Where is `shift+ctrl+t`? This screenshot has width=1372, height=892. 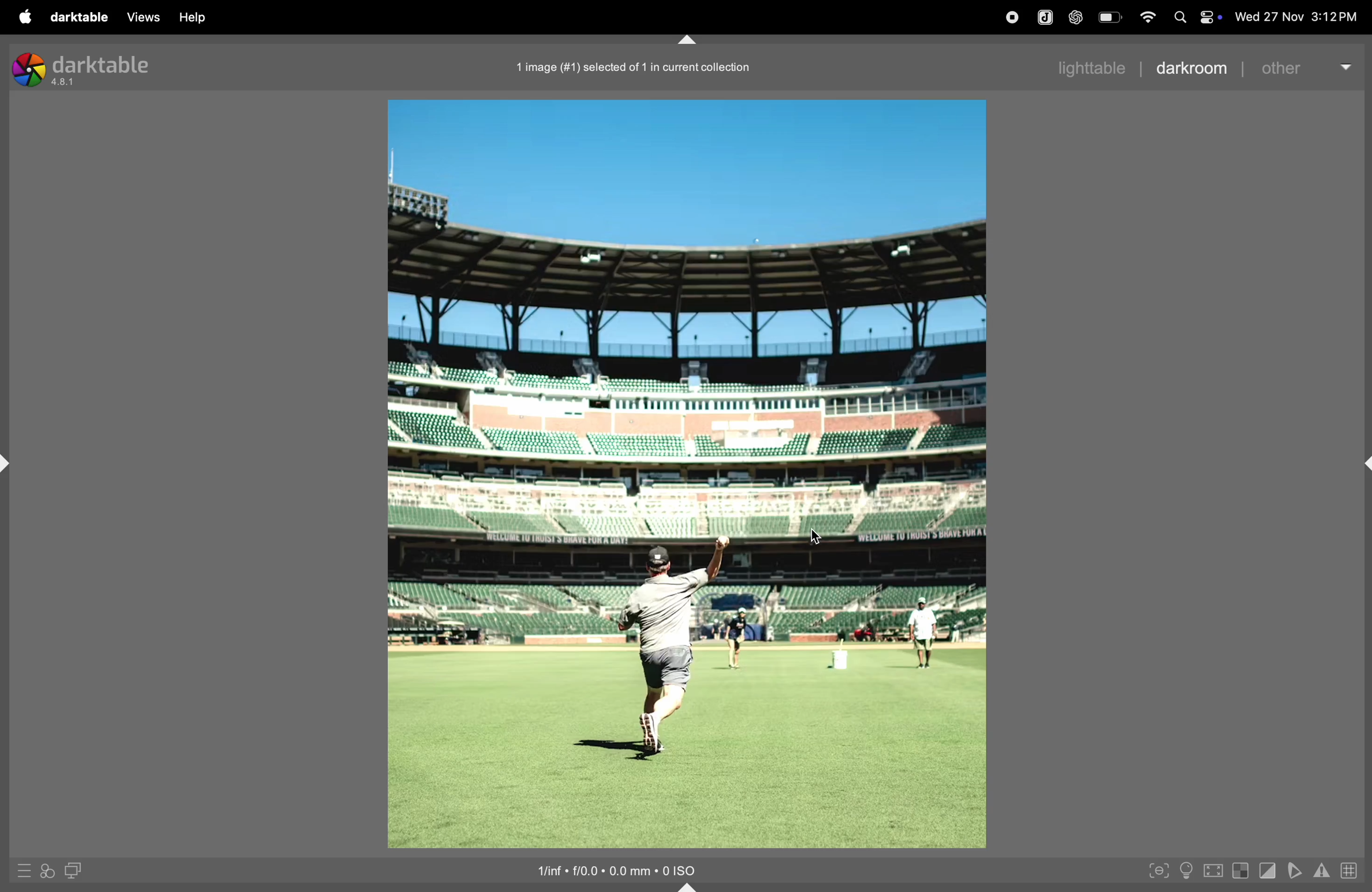
shift+ctrl+t is located at coordinates (688, 40).